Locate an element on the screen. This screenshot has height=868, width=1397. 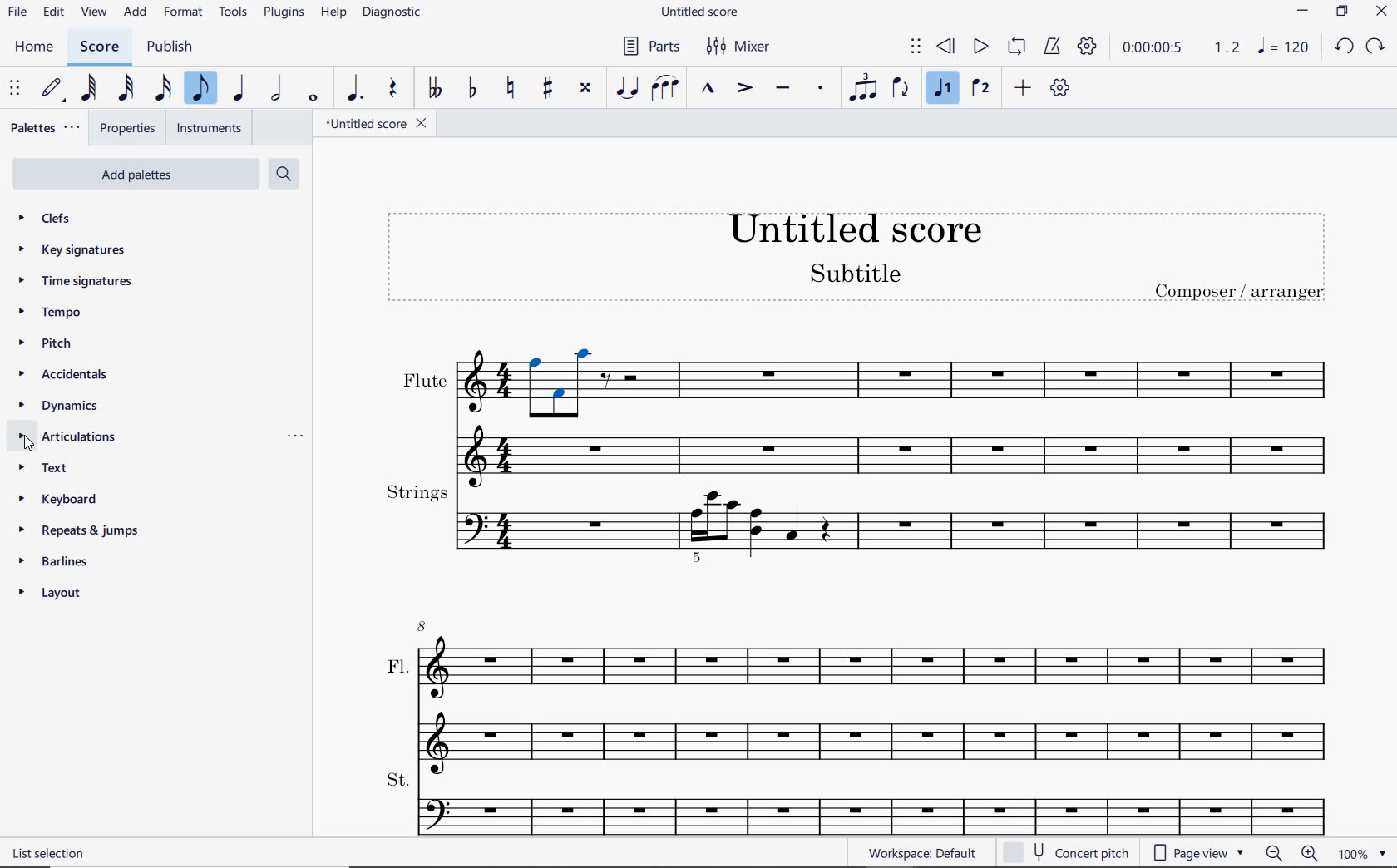
PROPERTIES is located at coordinates (131, 126).